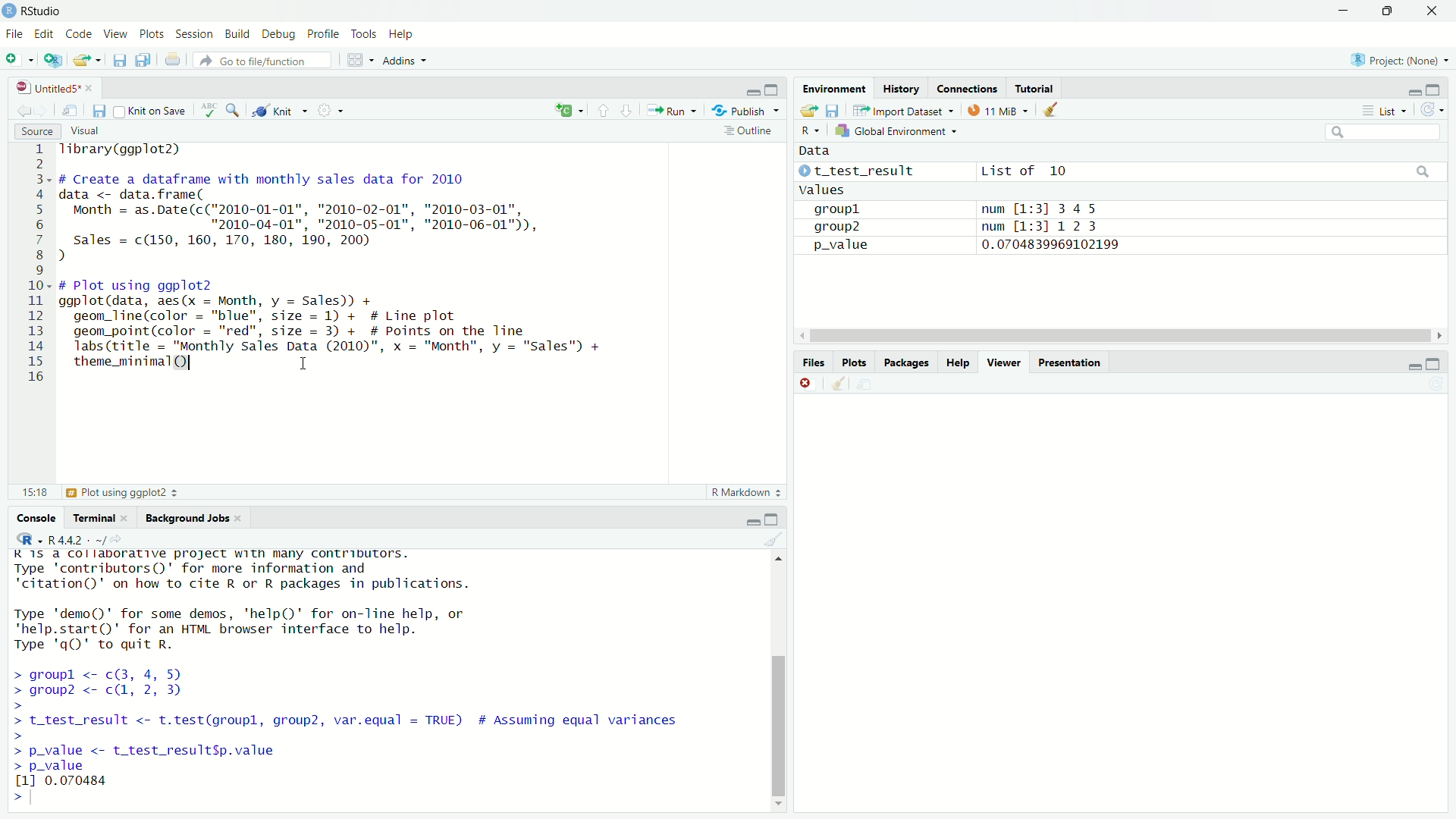 The image size is (1456, 819). I want to click on scroll bar, so click(1119, 336).